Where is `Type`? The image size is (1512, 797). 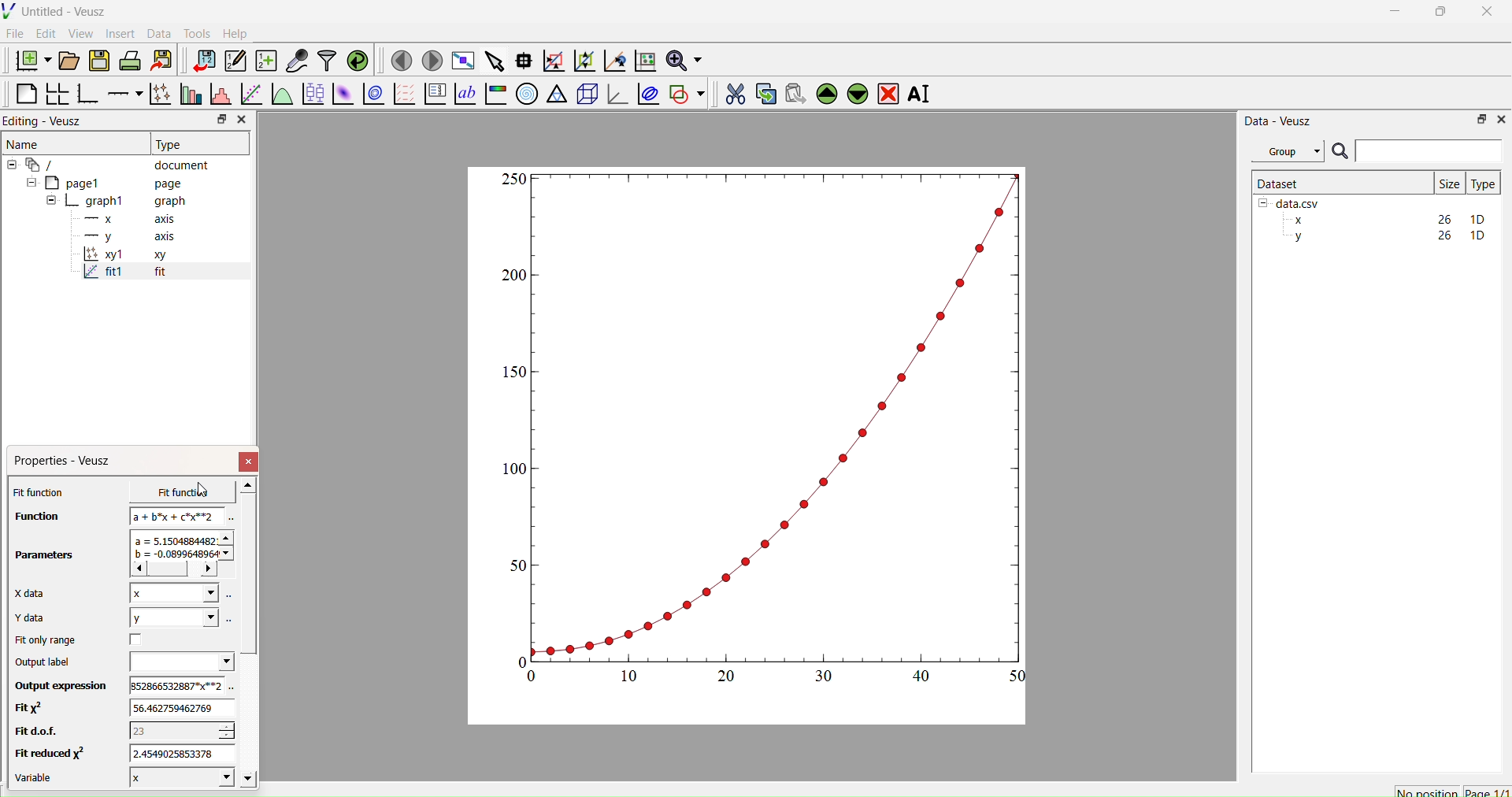 Type is located at coordinates (171, 144).